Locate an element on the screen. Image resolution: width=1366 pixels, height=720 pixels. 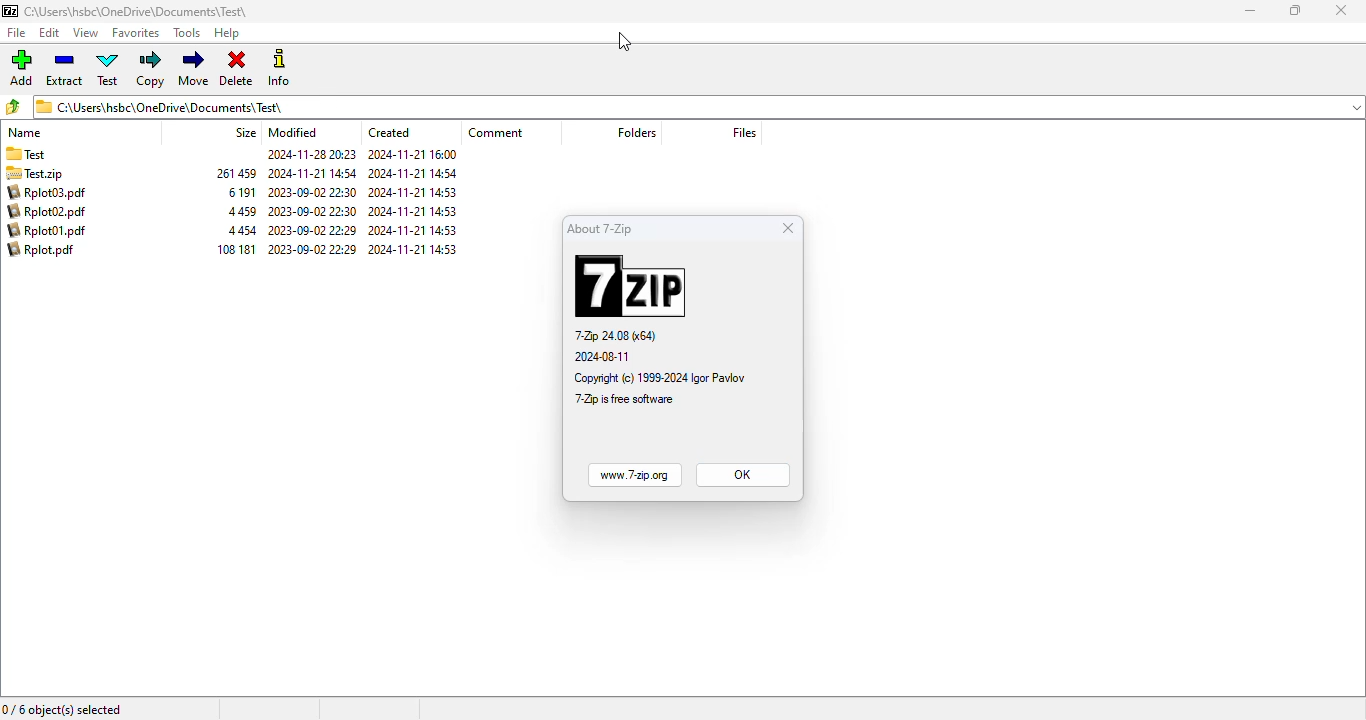
108 181 is located at coordinates (236, 249).